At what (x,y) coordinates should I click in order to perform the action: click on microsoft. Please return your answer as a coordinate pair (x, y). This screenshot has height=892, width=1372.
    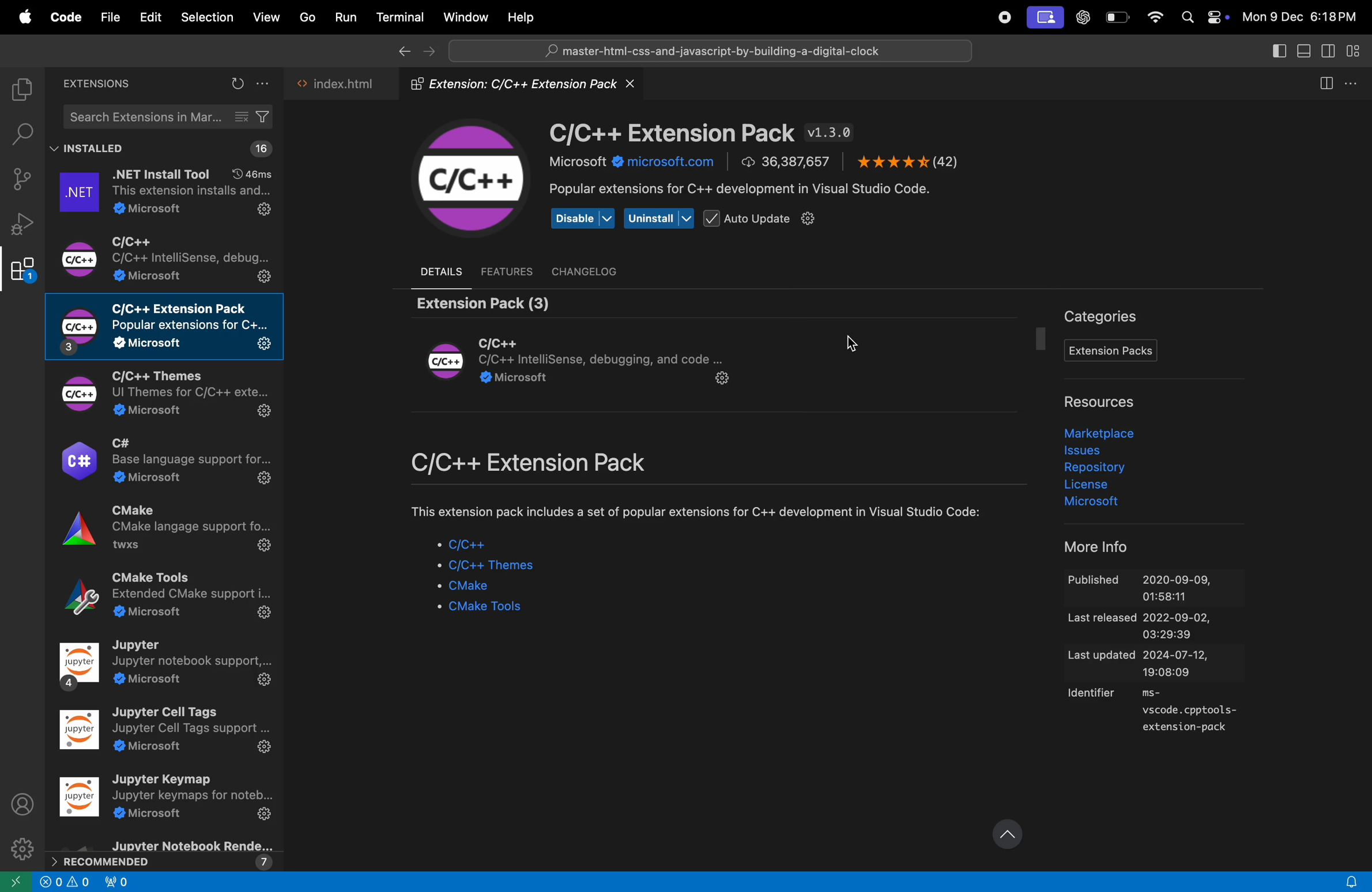
    Looking at the image, I should click on (1101, 504).